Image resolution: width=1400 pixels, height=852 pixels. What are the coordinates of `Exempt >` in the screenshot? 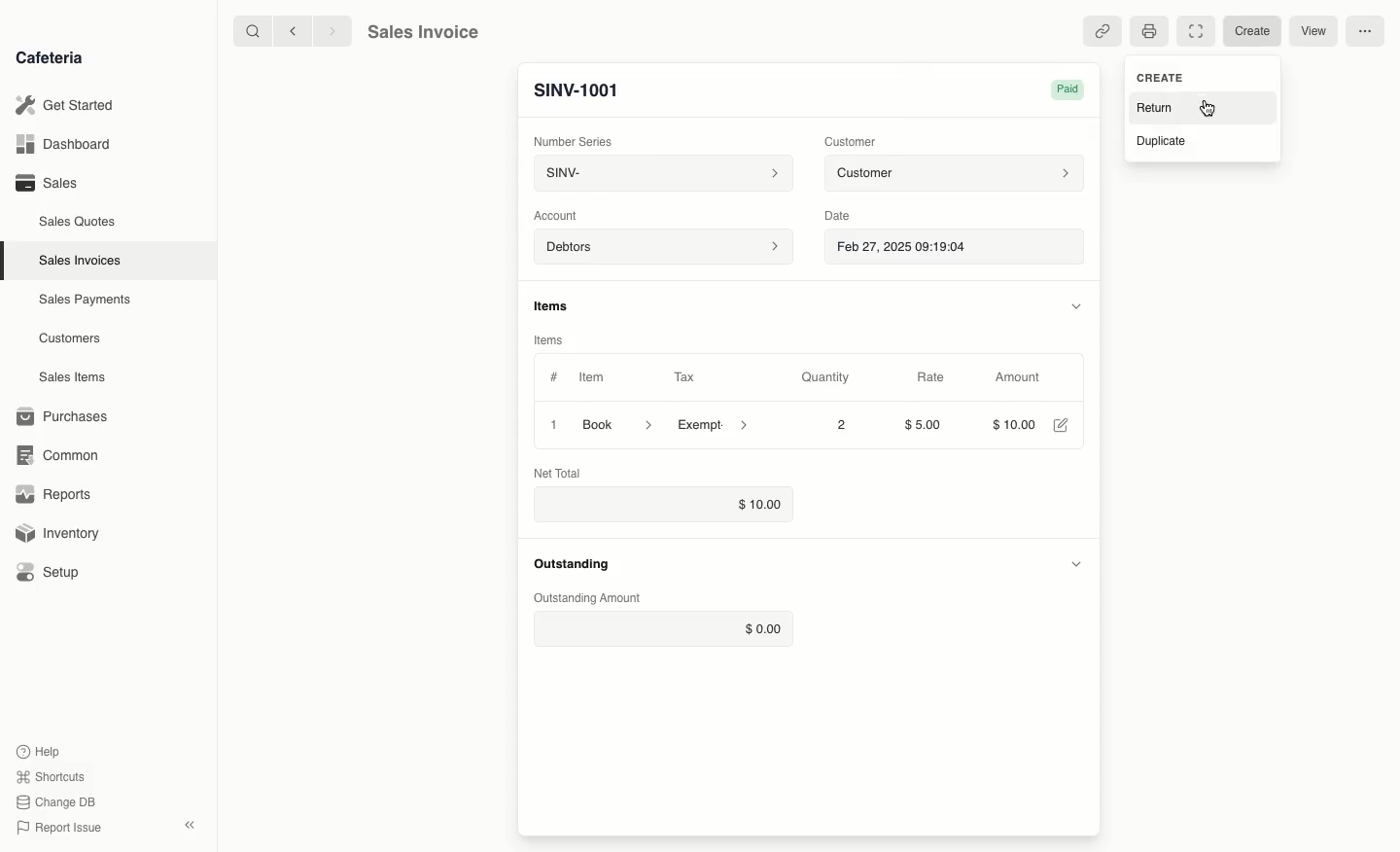 It's located at (715, 426).